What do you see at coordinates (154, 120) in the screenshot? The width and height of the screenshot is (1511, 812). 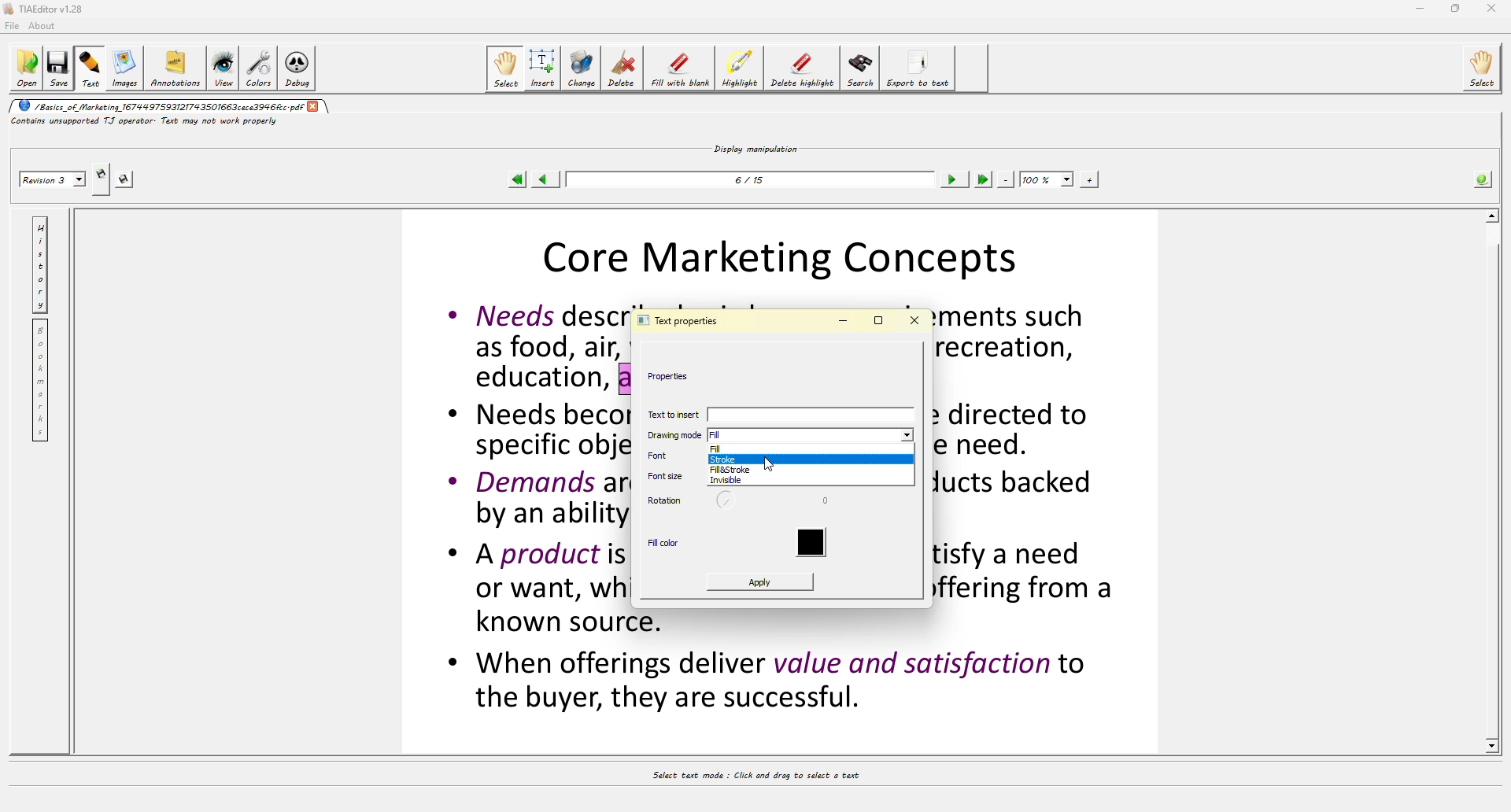 I see `contains unsupported TJ operator. Text may not work properly.` at bounding box center [154, 120].